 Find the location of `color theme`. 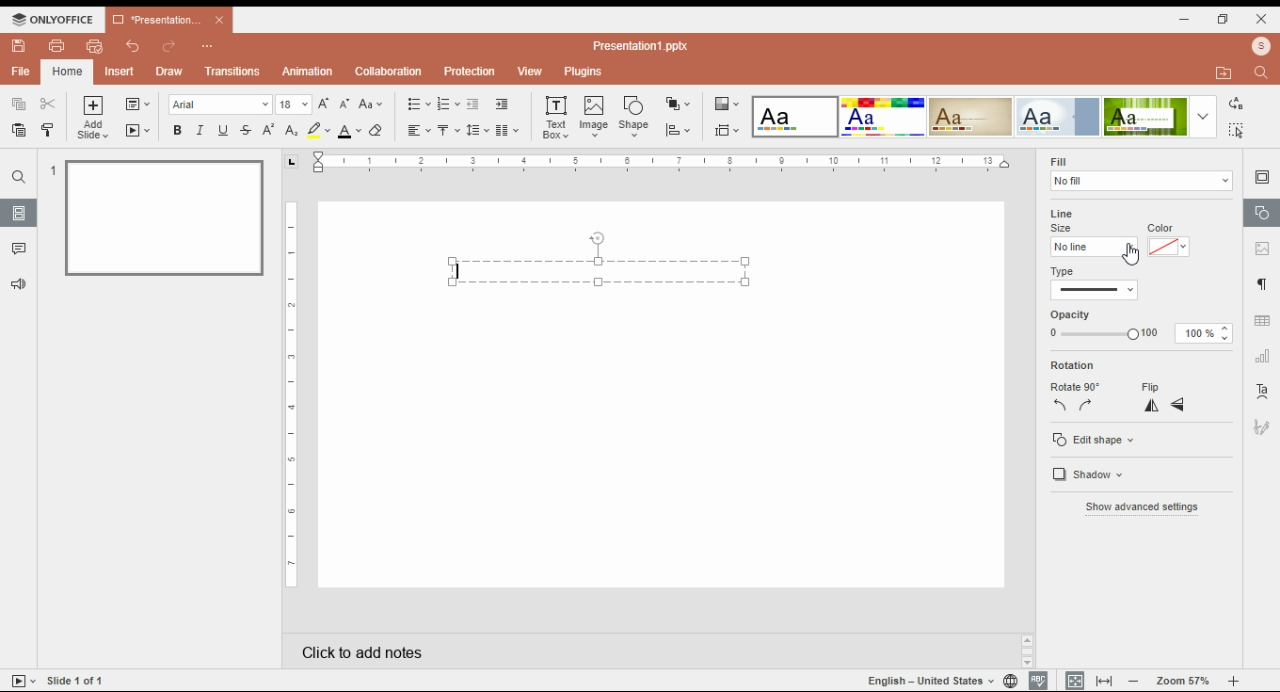

color theme is located at coordinates (1057, 117).